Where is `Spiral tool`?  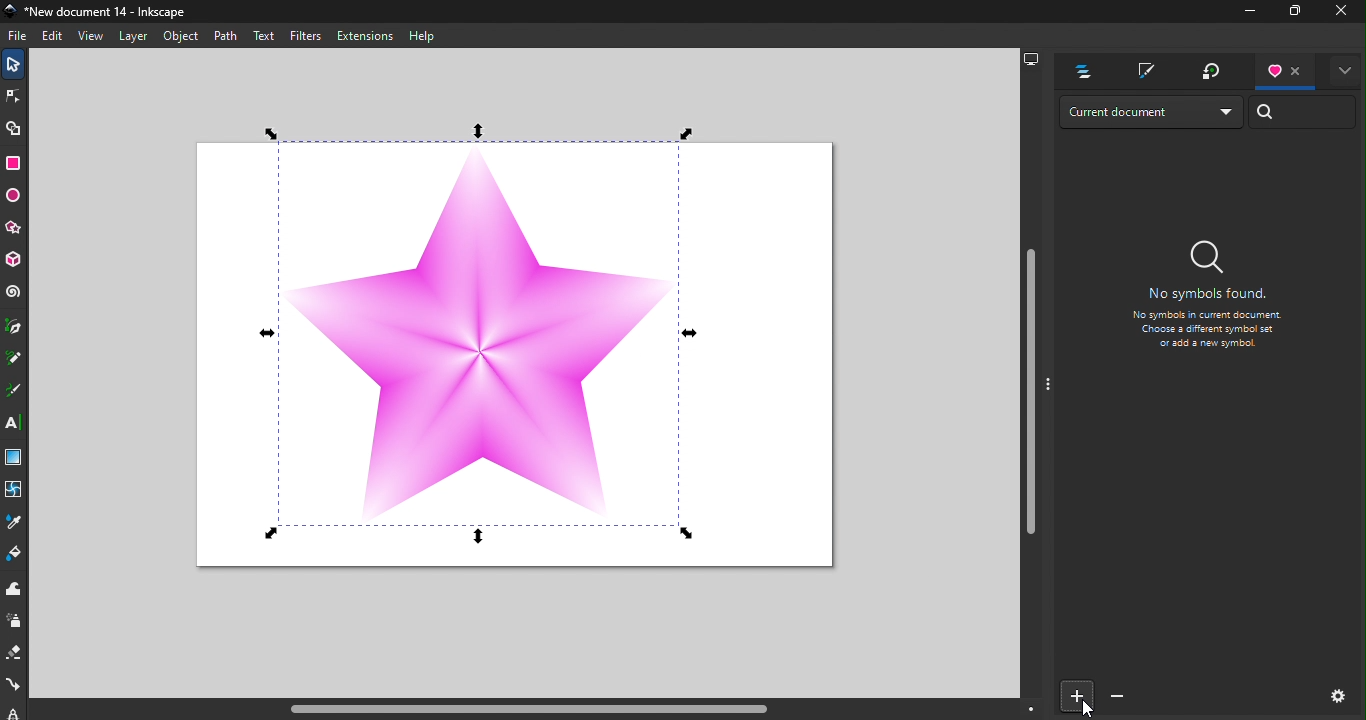
Spiral tool is located at coordinates (16, 294).